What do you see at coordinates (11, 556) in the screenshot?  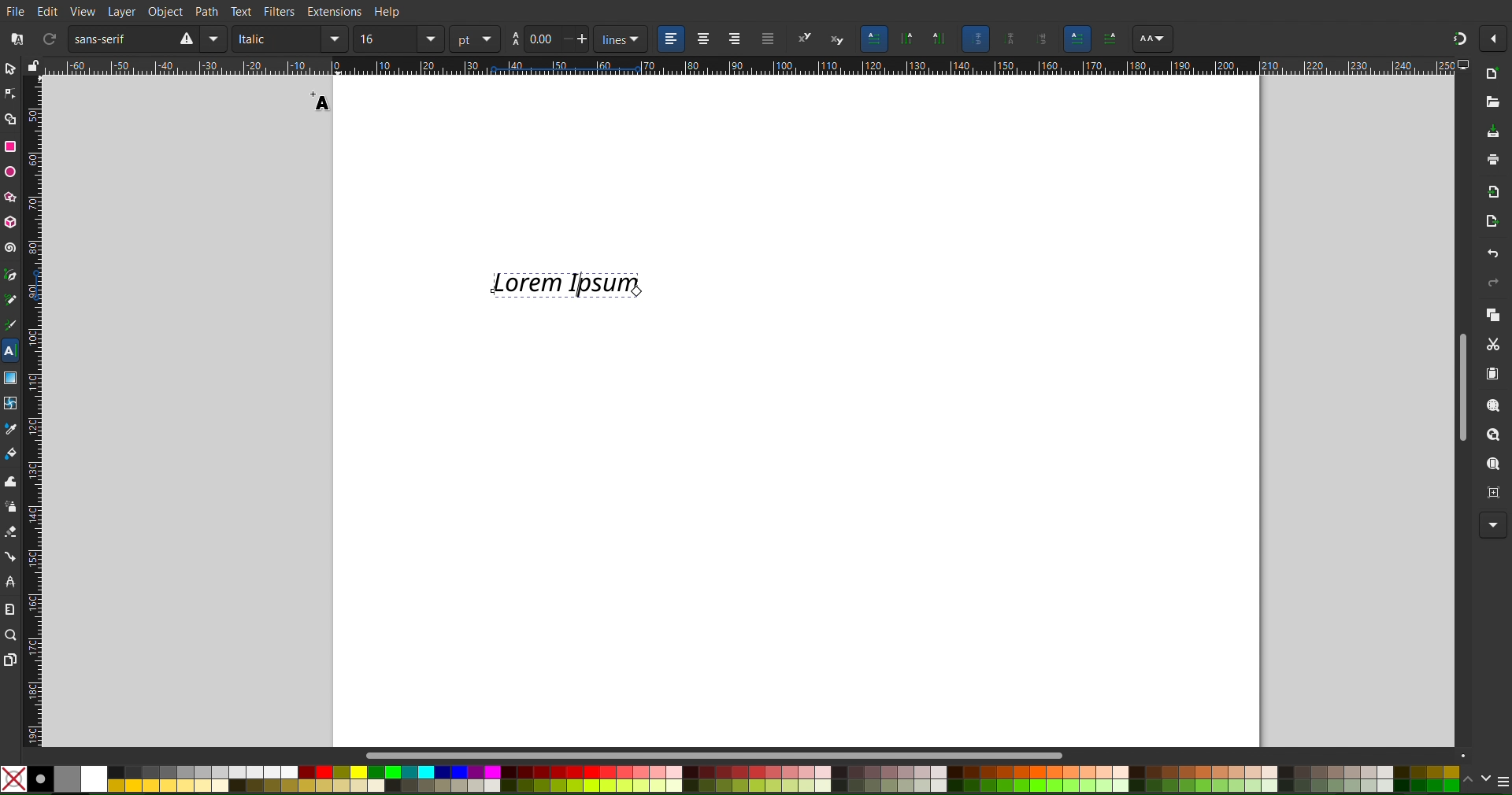 I see `Connection` at bounding box center [11, 556].